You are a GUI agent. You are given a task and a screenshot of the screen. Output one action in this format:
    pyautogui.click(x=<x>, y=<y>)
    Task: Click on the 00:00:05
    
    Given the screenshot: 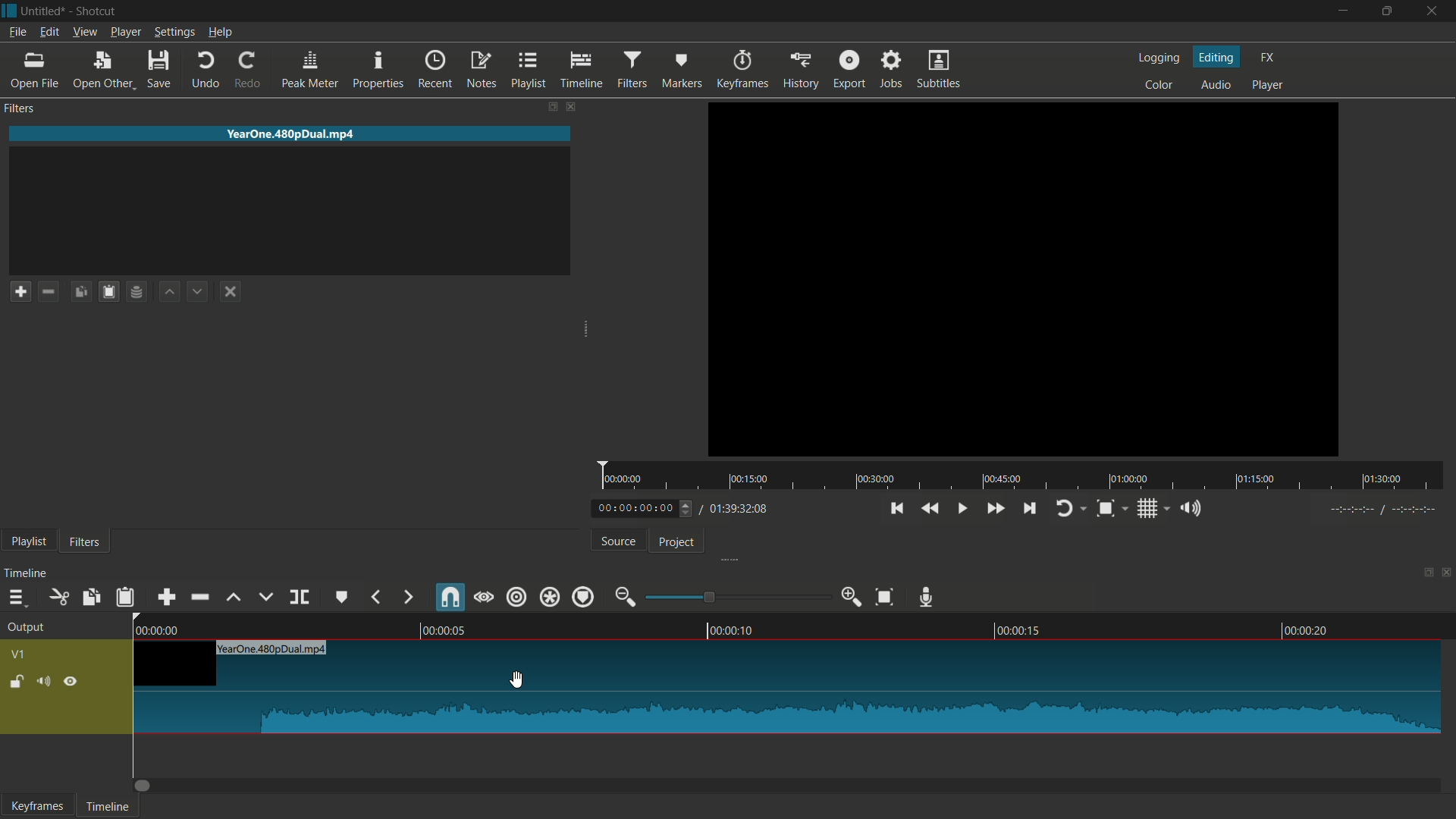 What is the action you would take?
    pyautogui.click(x=452, y=629)
    